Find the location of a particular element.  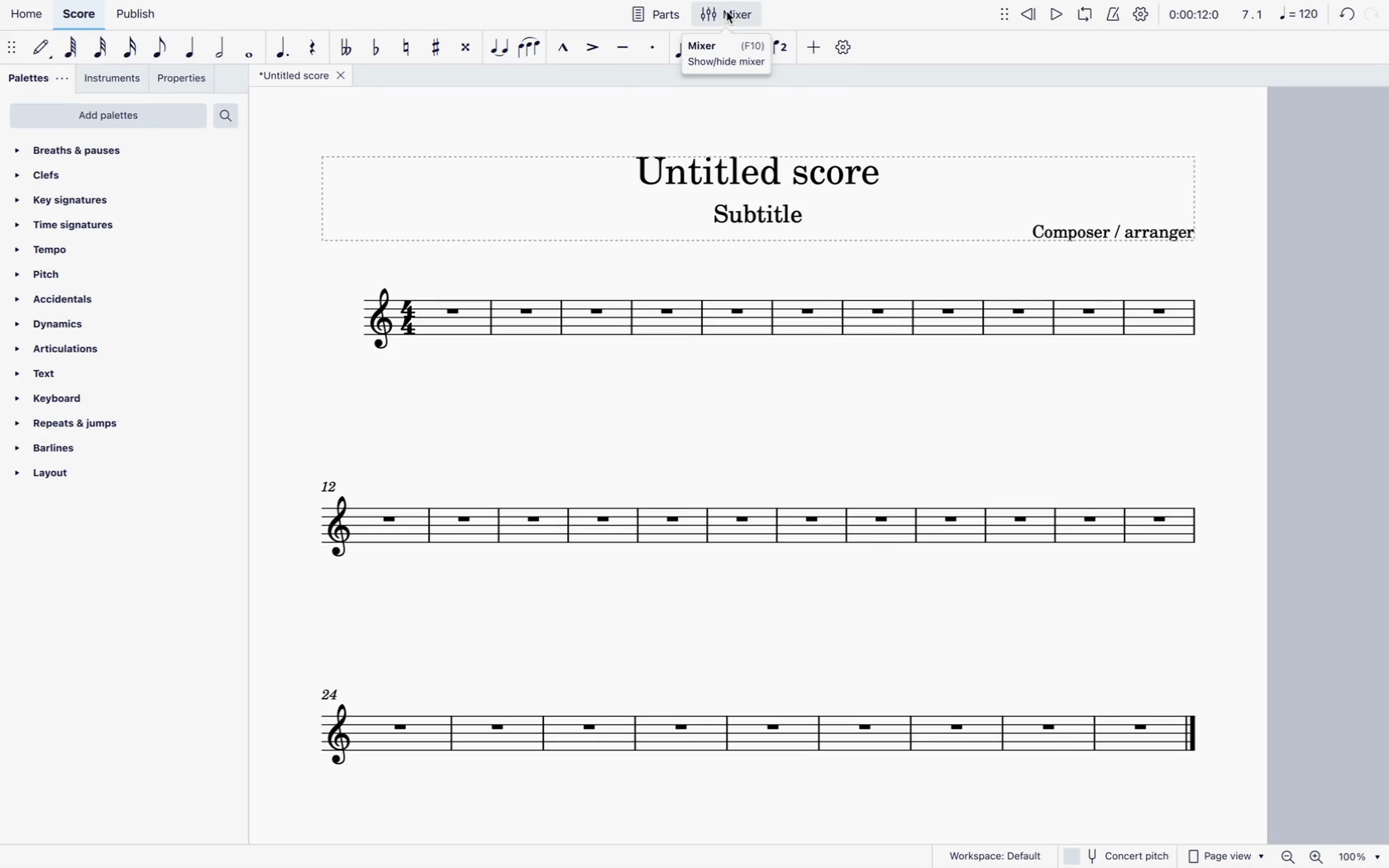

accidentals is located at coordinates (91, 298).